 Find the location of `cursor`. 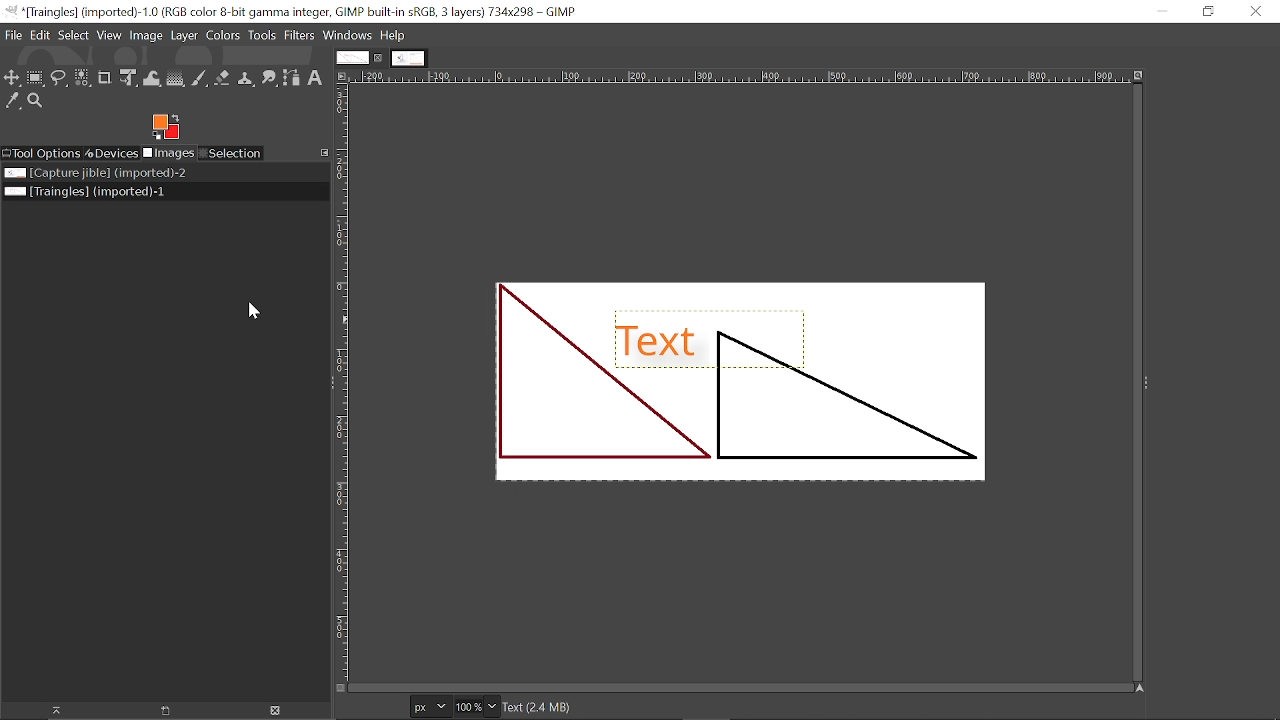

cursor is located at coordinates (255, 312).